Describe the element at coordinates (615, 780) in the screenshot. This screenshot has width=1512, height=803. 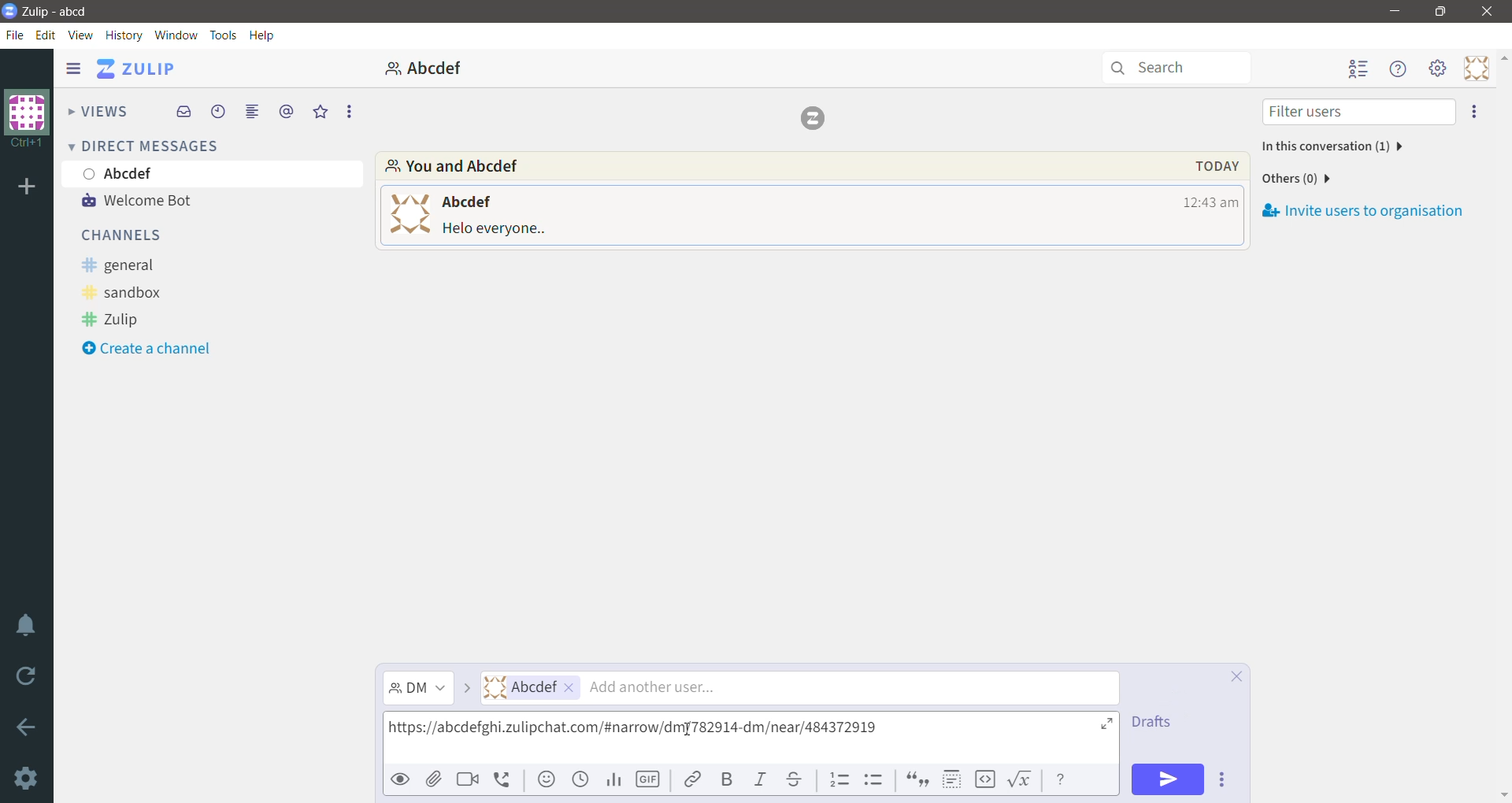
I see `Add Poll` at that location.